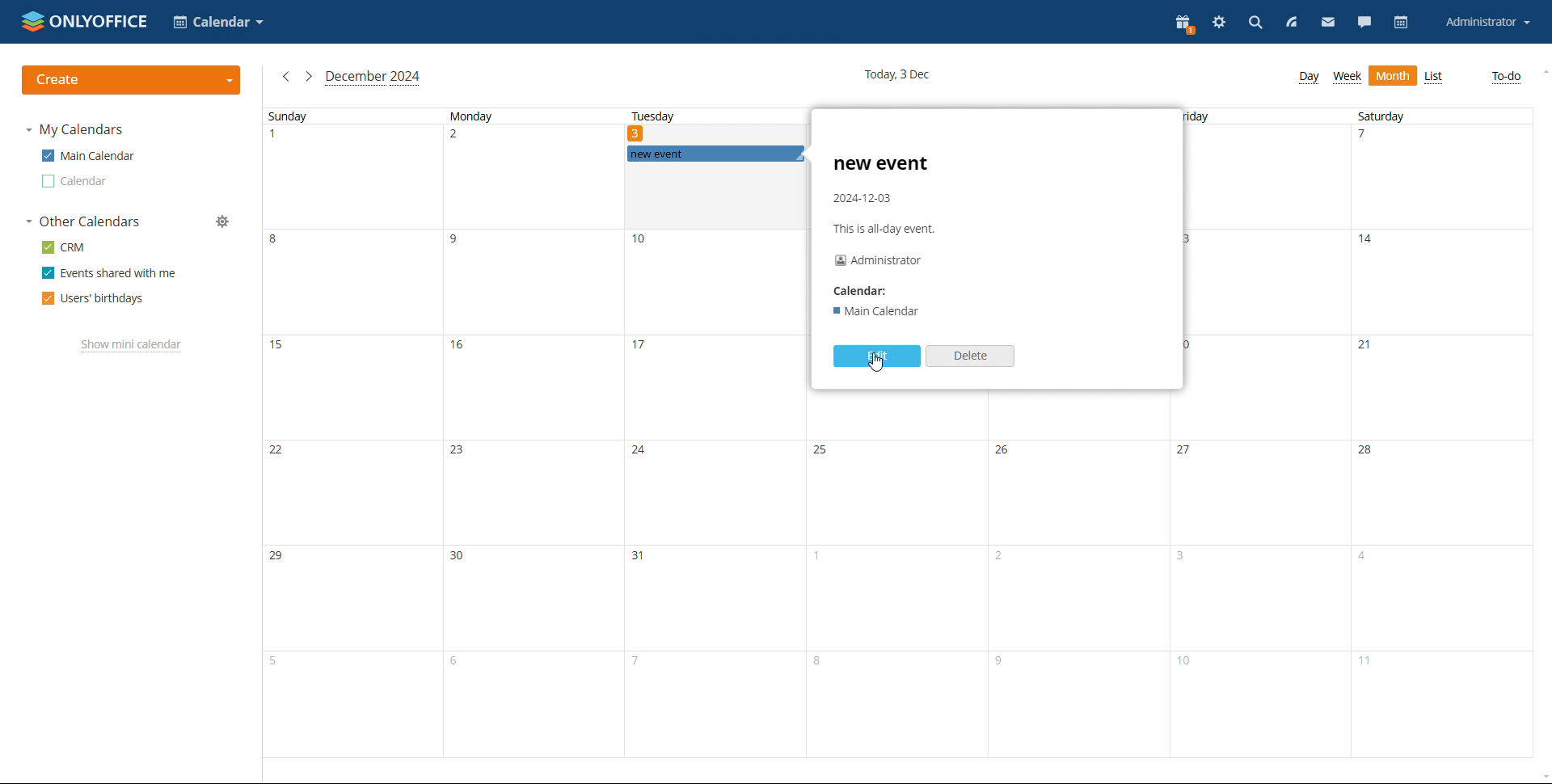  I want to click on scroll down, so click(1542, 778).